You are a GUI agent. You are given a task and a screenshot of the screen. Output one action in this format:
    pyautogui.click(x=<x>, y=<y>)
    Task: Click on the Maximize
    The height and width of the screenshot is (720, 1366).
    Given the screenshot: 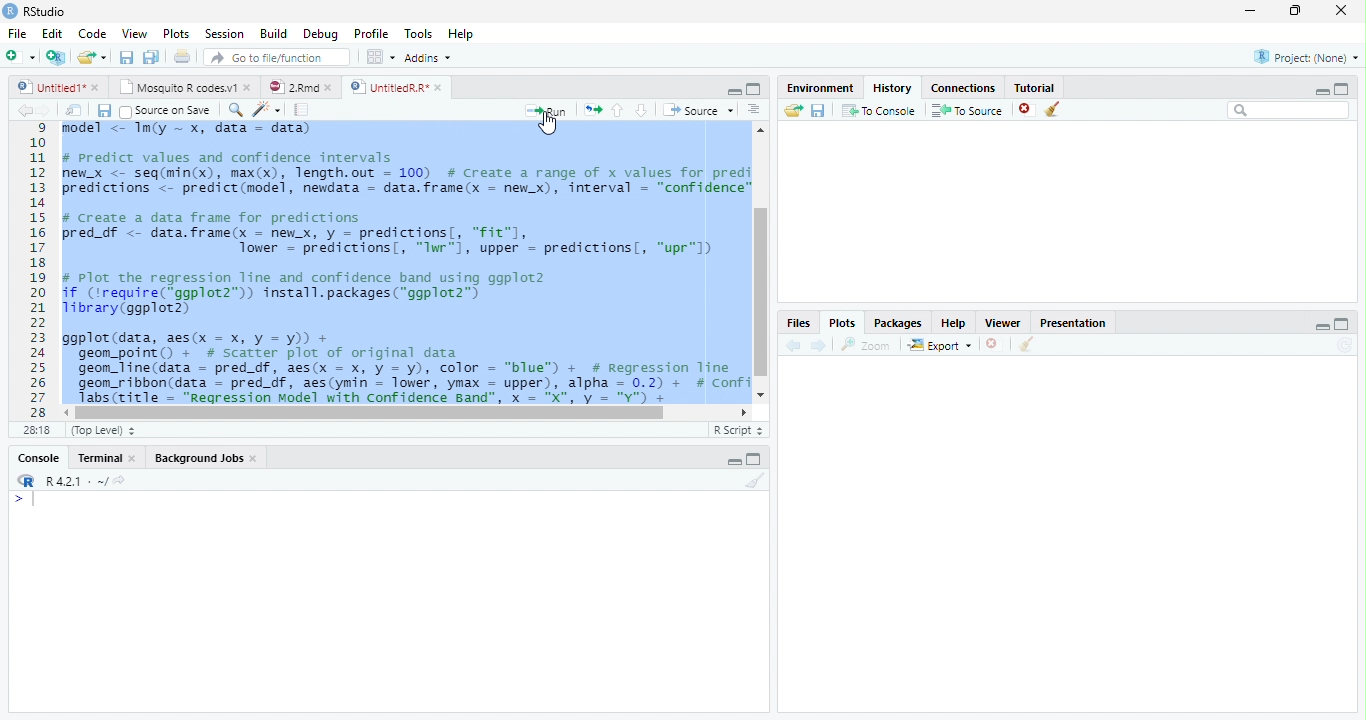 What is the action you would take?
    pyautogui.click(x=756, y=89)
    